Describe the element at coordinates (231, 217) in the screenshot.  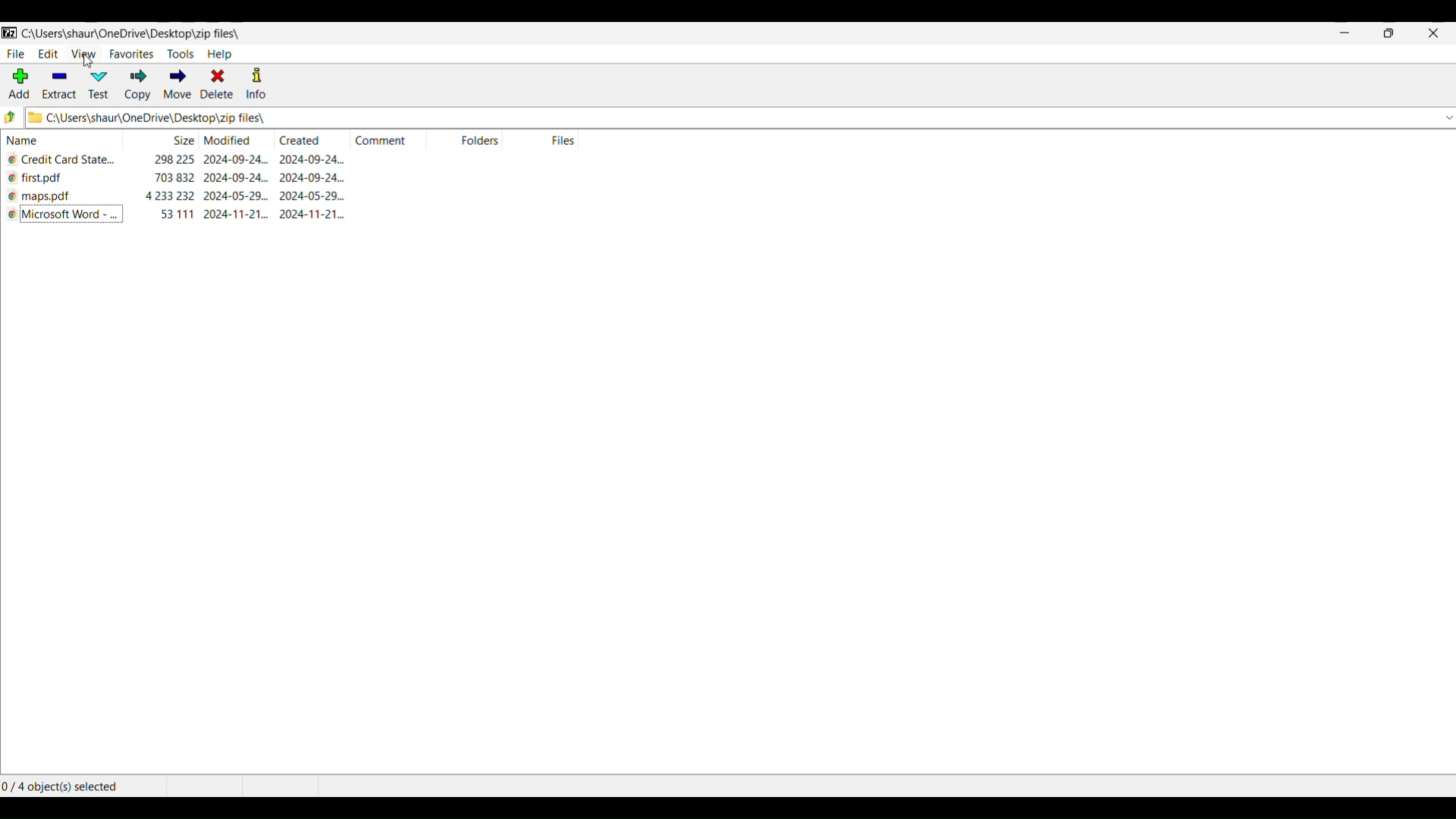
I see `modification date` at that location.